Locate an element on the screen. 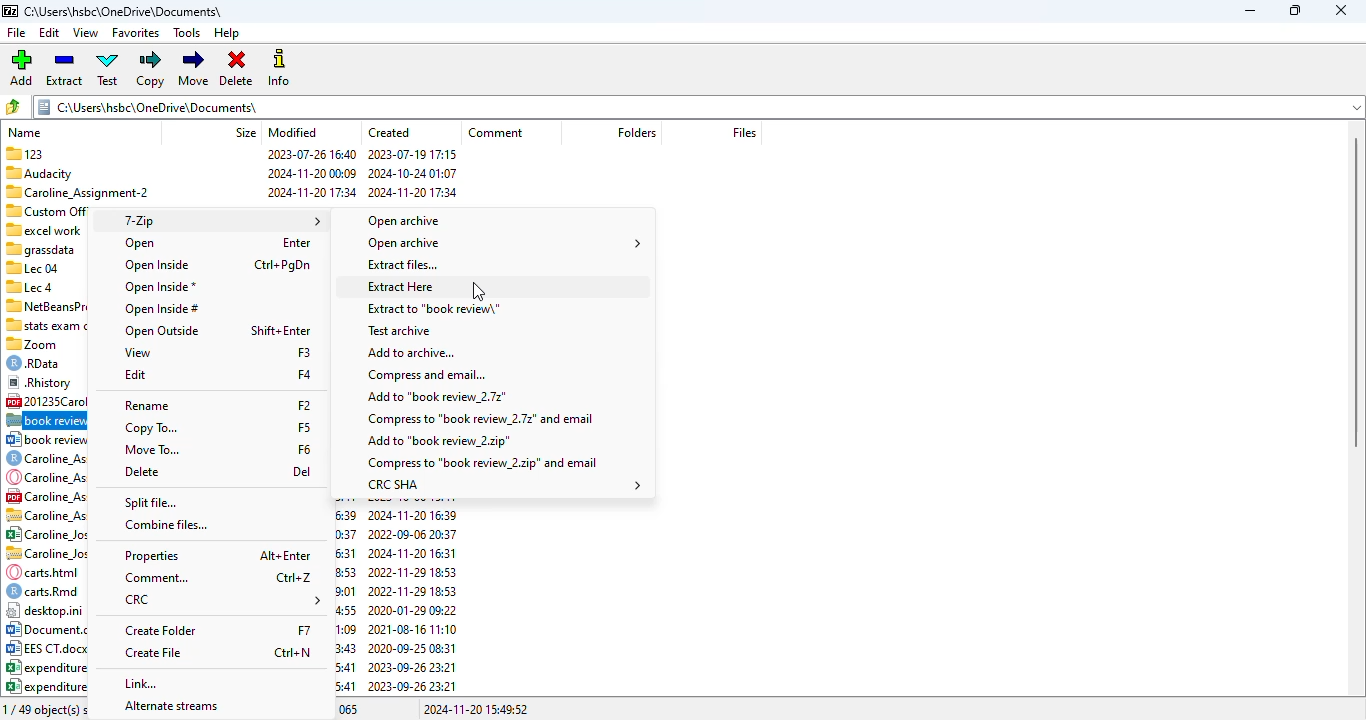 Image resolution: width=1366 pixels, height=720 pixels. CRC SHA is located at coordinates (501, 485).